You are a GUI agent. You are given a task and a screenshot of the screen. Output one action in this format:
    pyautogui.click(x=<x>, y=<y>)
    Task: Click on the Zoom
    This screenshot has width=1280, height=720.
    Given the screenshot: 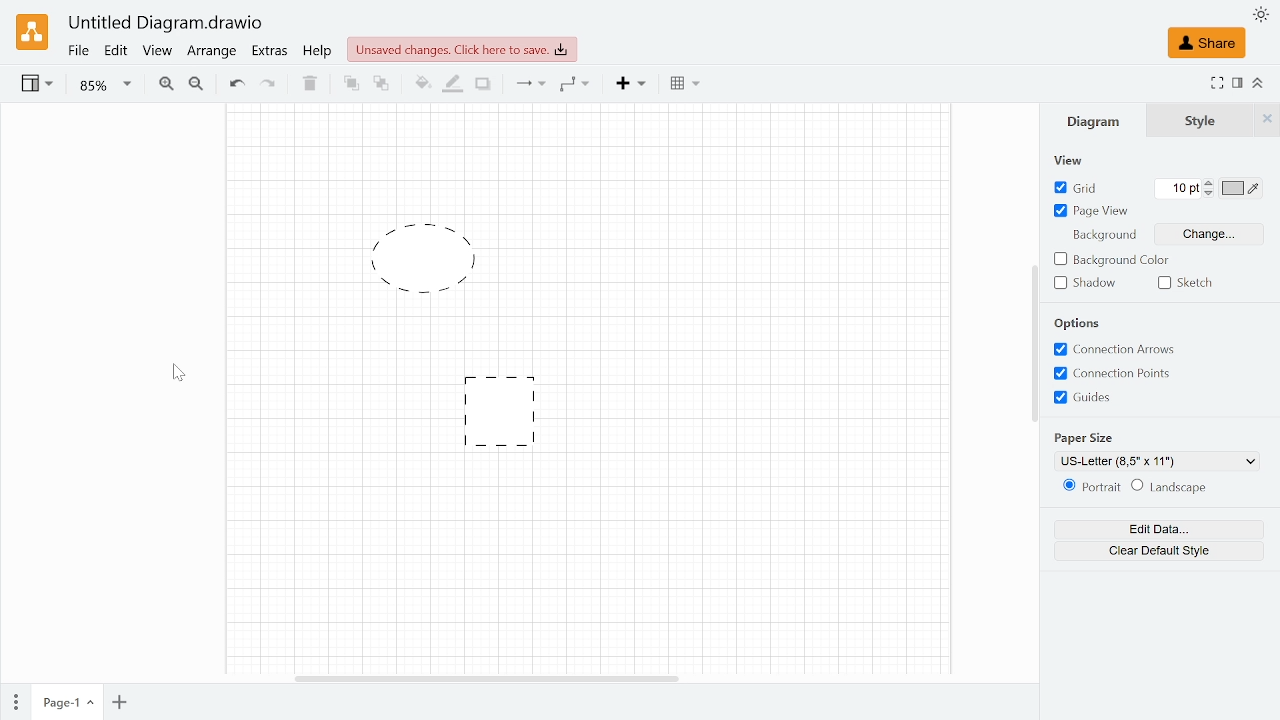 What is the action you would take?
    pyautogui.click(x=105, y=86)
    